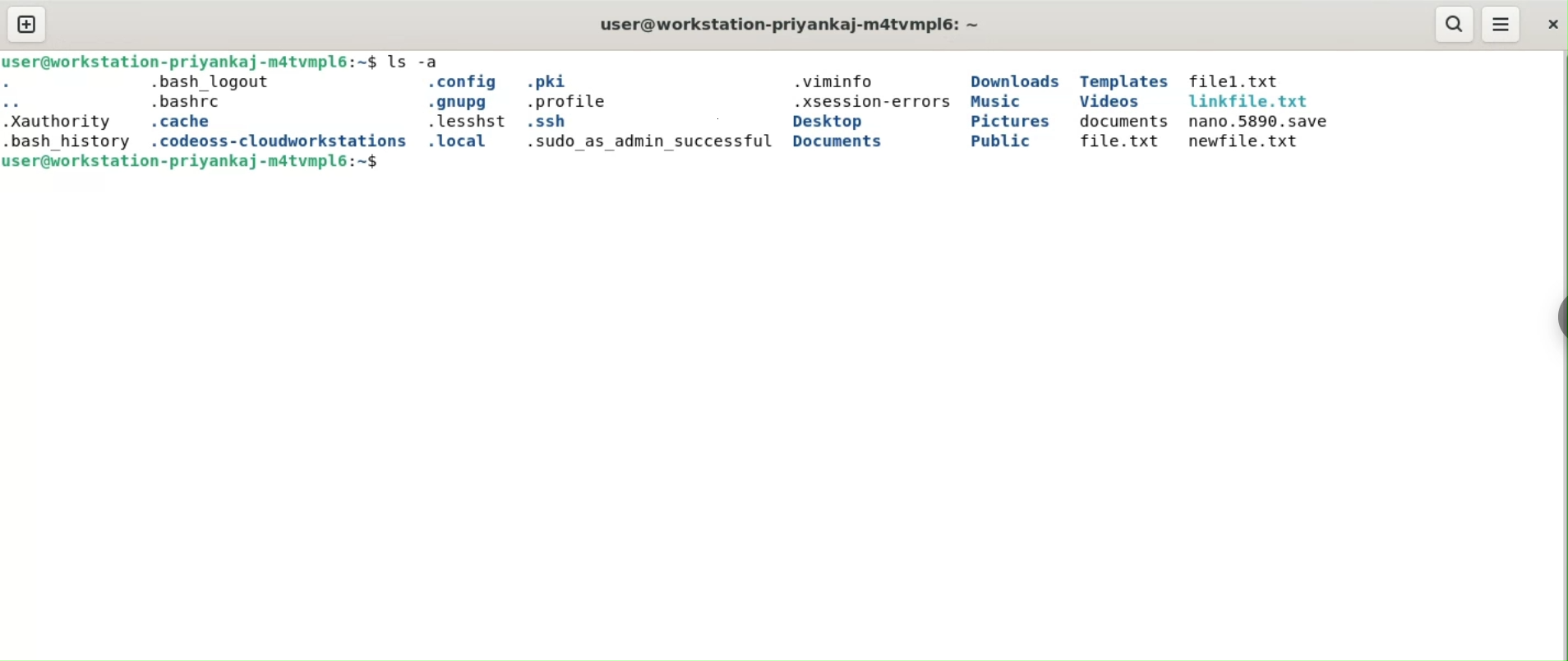 The width and height of the screenshot is (1568, 661). What do you see at coordinates (1457, 24) in the screenshot?
I see `search` at bounding box center [1457, 24].